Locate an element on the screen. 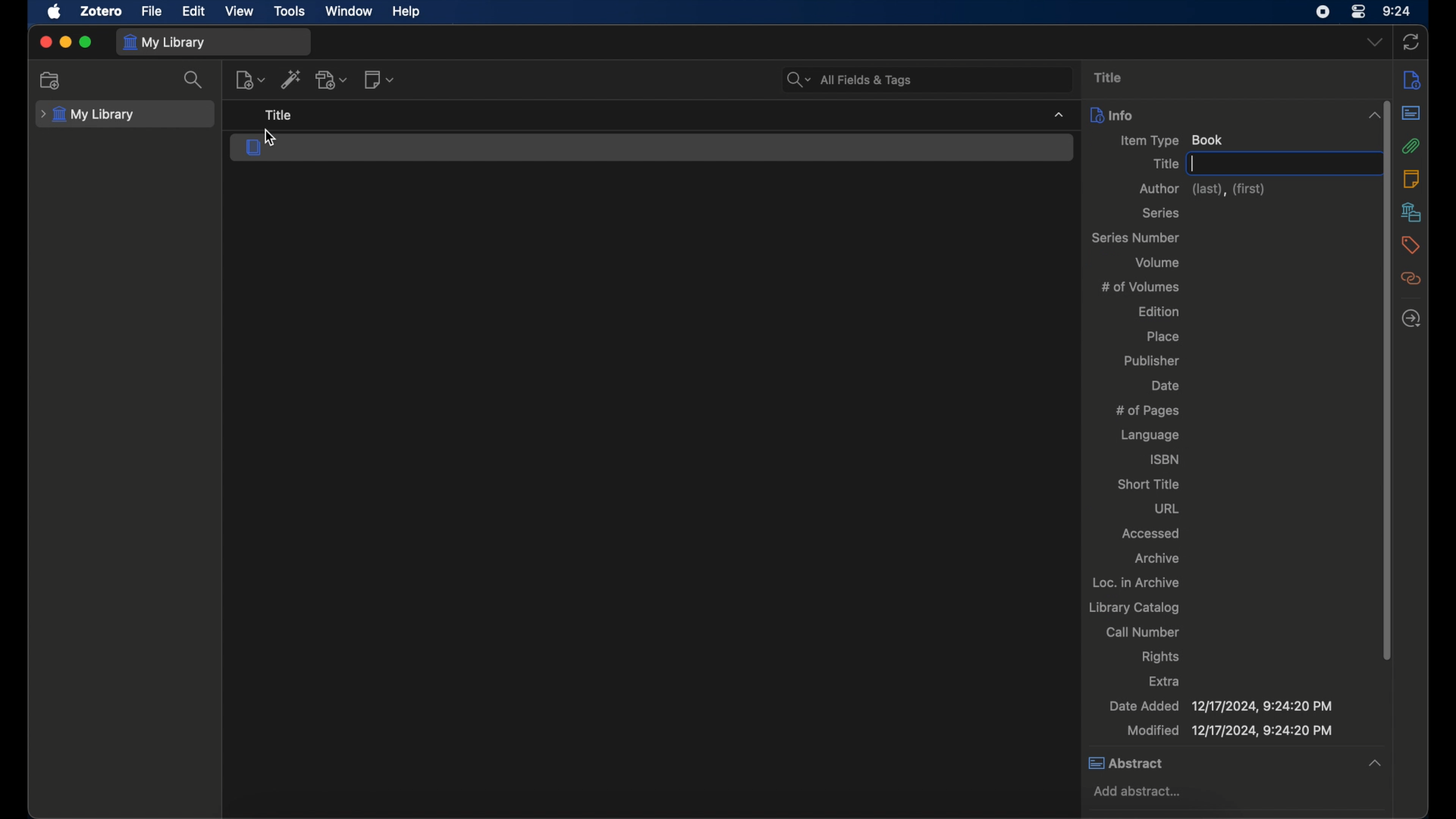 Image resolution: width=1456 pixels, height=819 pixels. item type  is located at coordinates (1173, 140).